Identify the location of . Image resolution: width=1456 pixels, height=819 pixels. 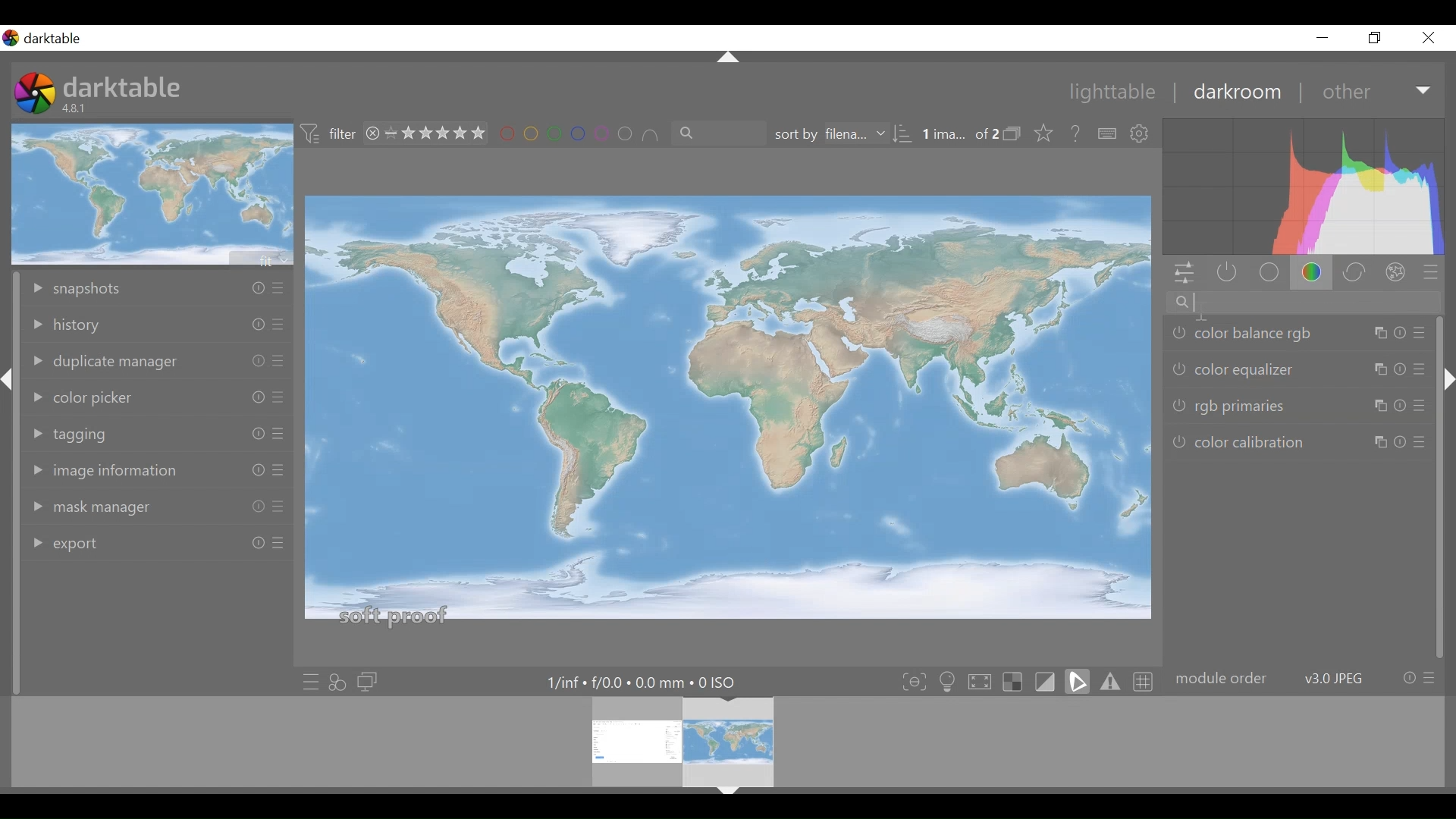
(278, 472).